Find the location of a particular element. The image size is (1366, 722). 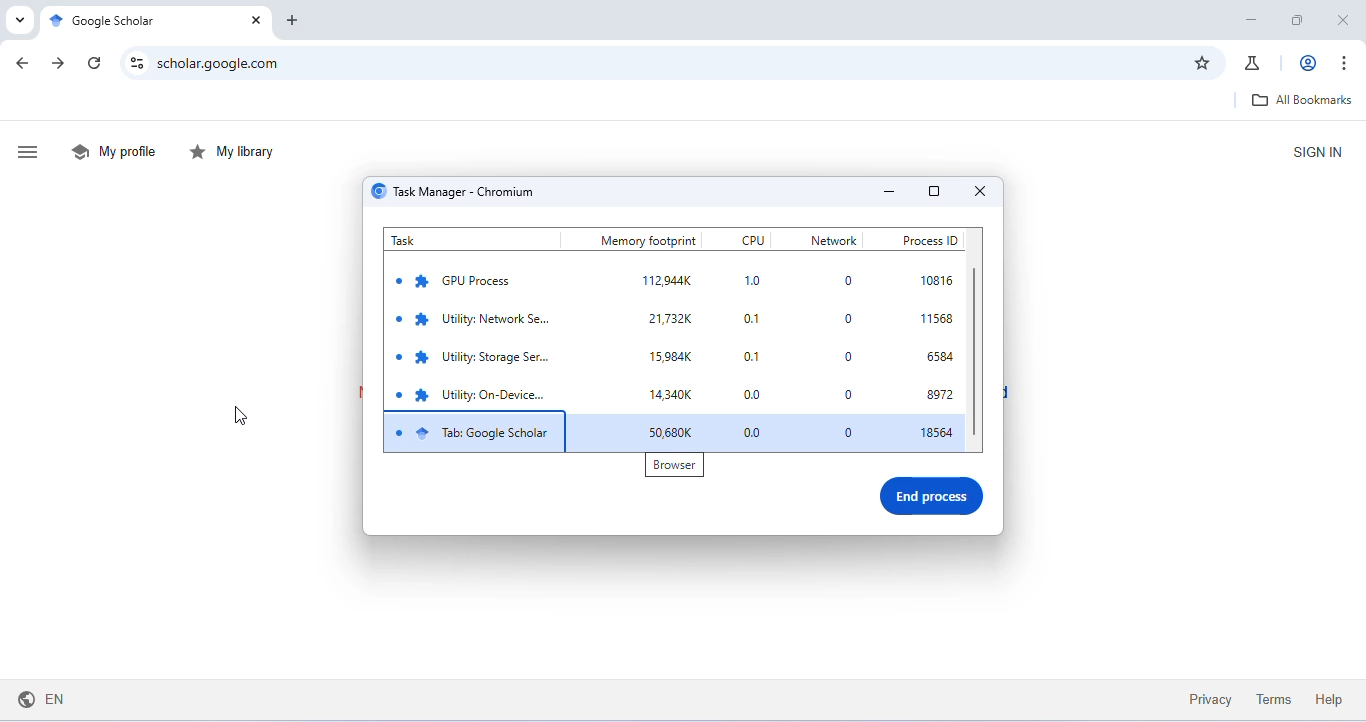

go back is located at coordinates (26, 64).